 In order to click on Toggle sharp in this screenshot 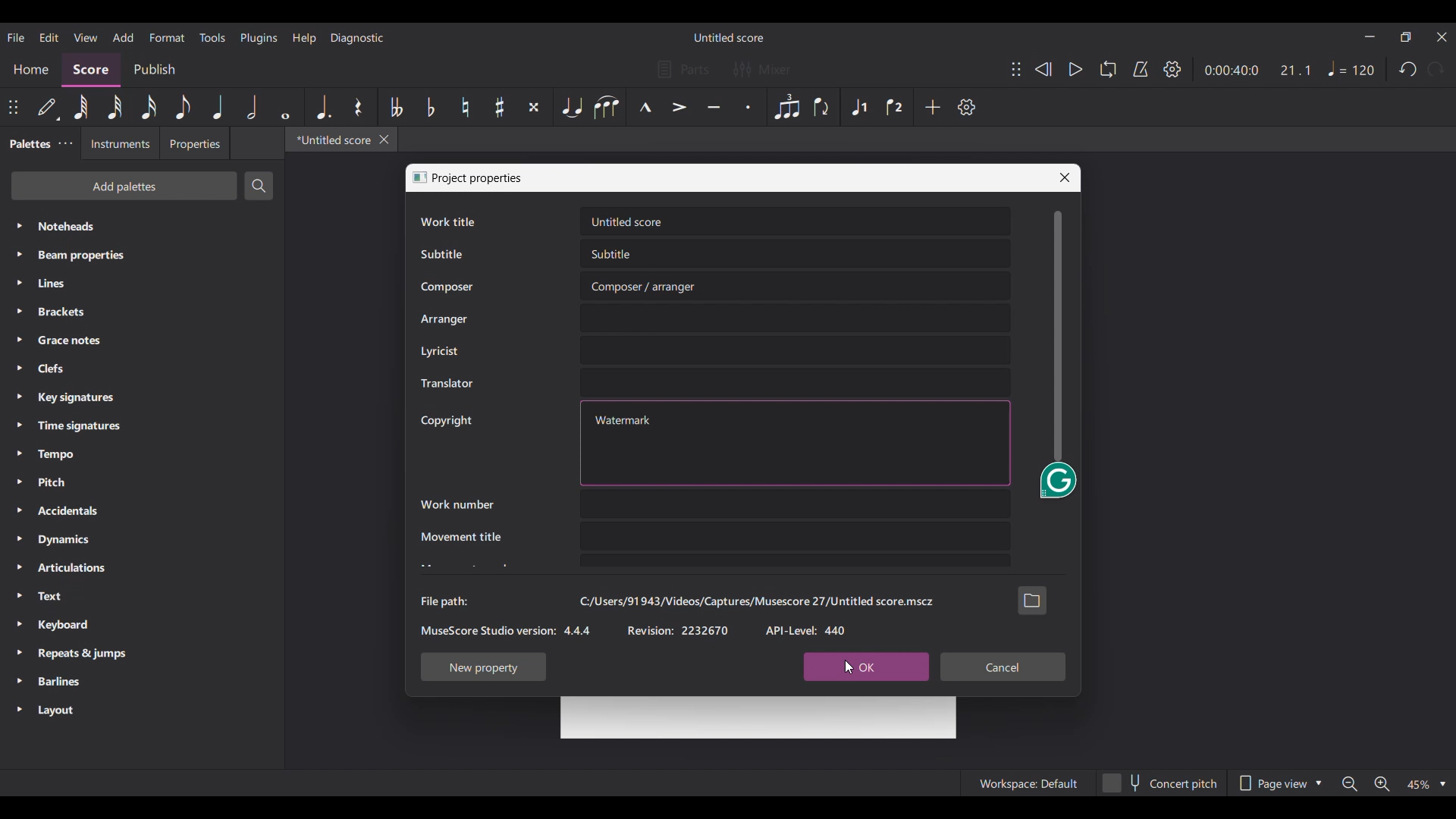, I will do `click(500, 107)`.